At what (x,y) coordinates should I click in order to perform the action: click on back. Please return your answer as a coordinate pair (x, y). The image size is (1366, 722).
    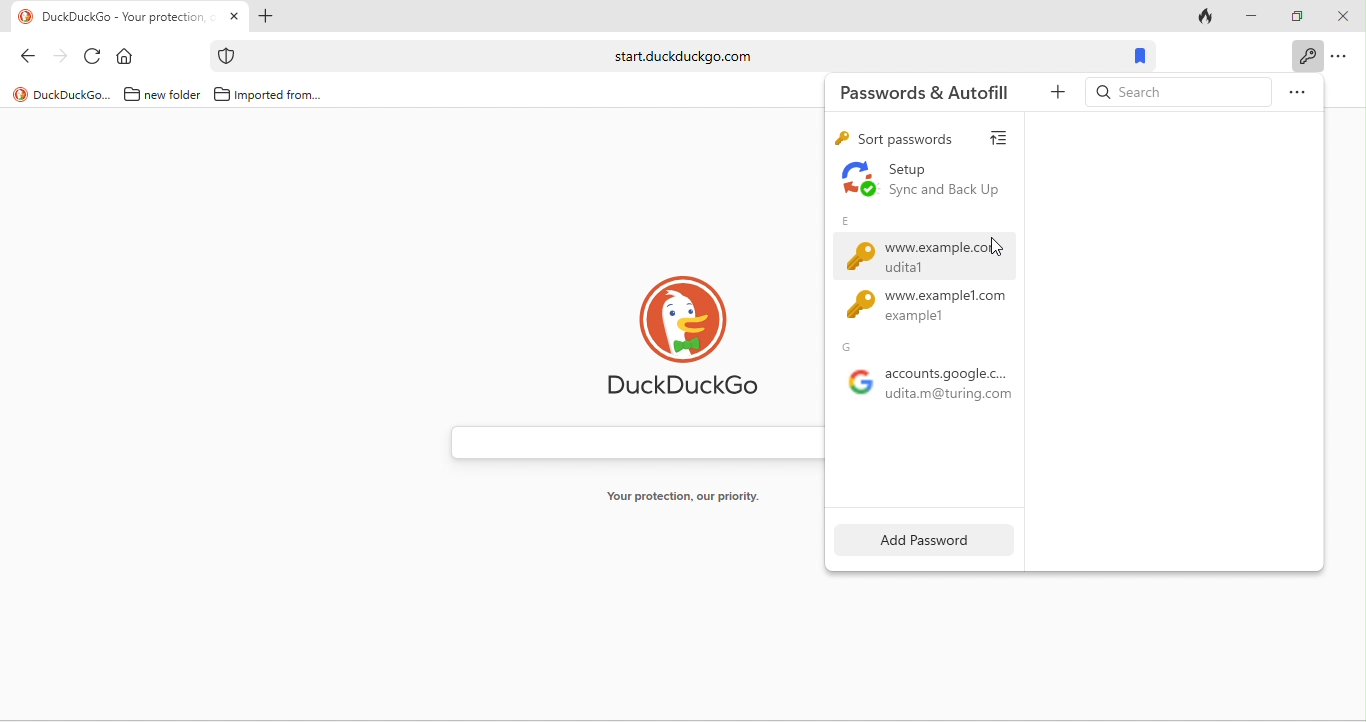
    Looking at the image, I should click on (33, 59).